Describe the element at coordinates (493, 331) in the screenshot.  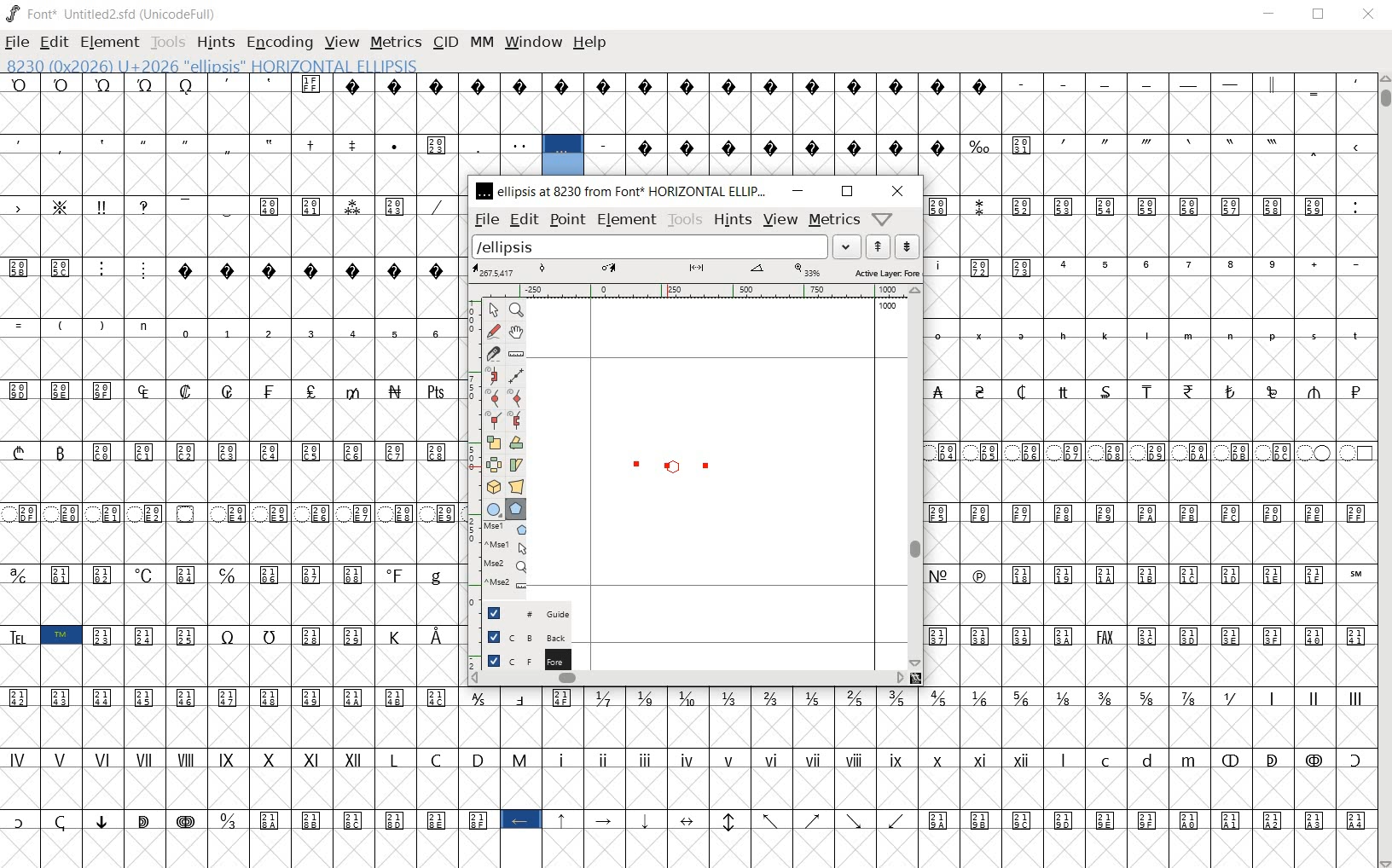
I see `draw a freehand curve` at that location.